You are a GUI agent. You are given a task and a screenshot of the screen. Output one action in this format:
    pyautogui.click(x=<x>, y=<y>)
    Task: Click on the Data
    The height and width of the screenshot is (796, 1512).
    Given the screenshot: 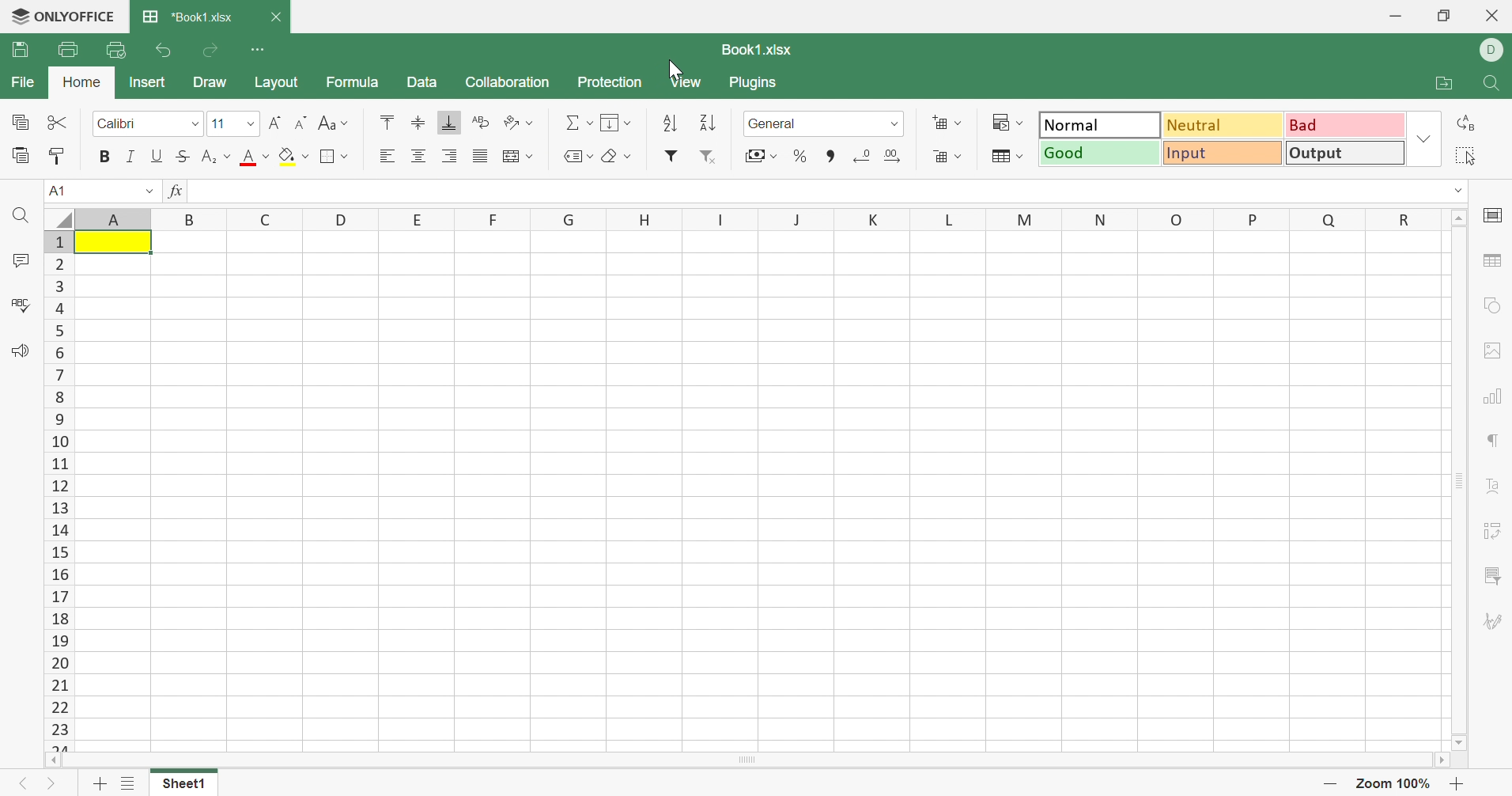 What is the action you would take?
    pyautogui.click(x=424, y=81)
    